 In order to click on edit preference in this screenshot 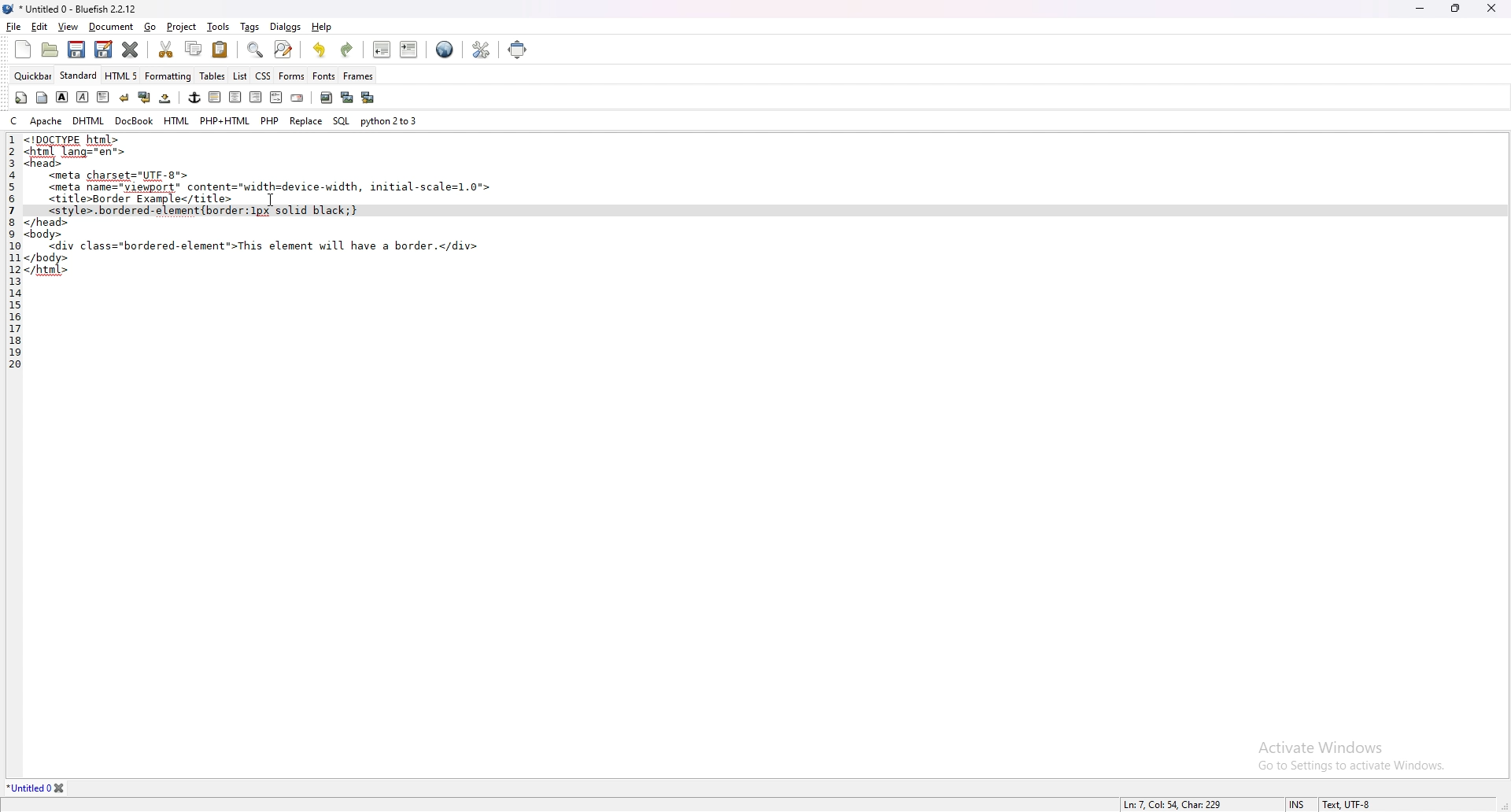, I will do `click(478, 50)`.